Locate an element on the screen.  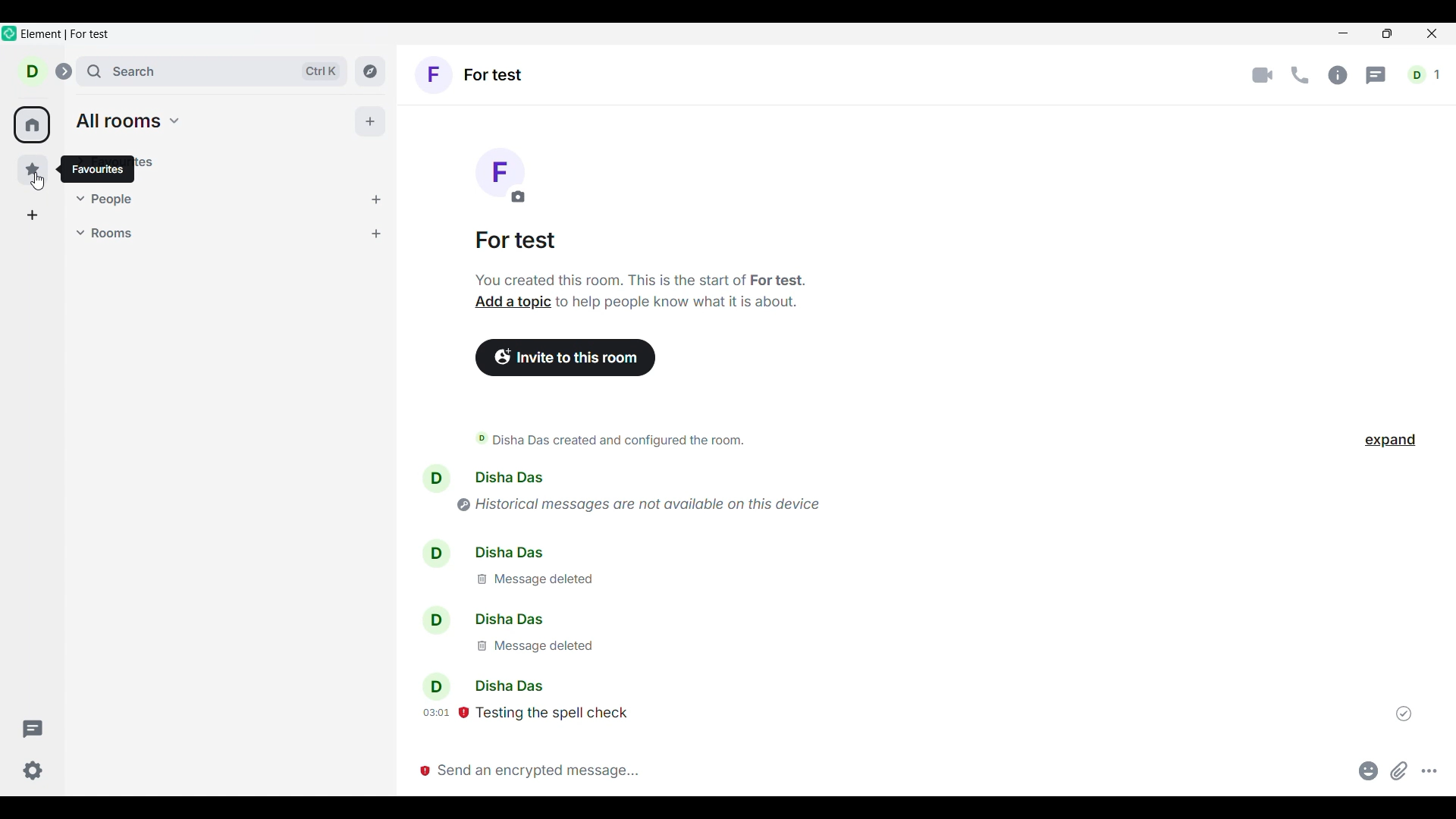
historical message are not available on this device is located at coordinates (649, 508).